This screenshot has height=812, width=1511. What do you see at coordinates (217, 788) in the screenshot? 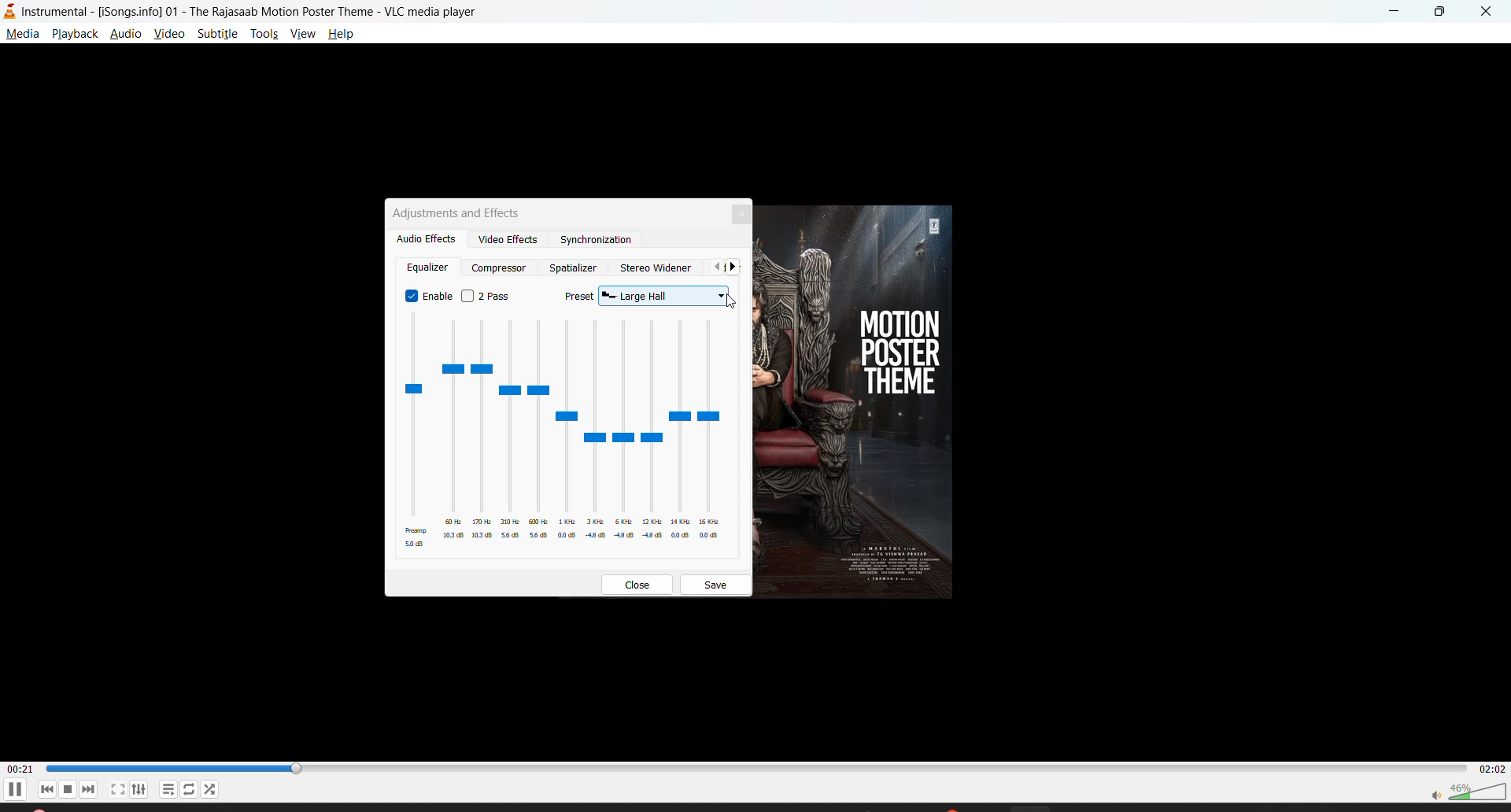
I see `random` at bounding box center [217, 788].